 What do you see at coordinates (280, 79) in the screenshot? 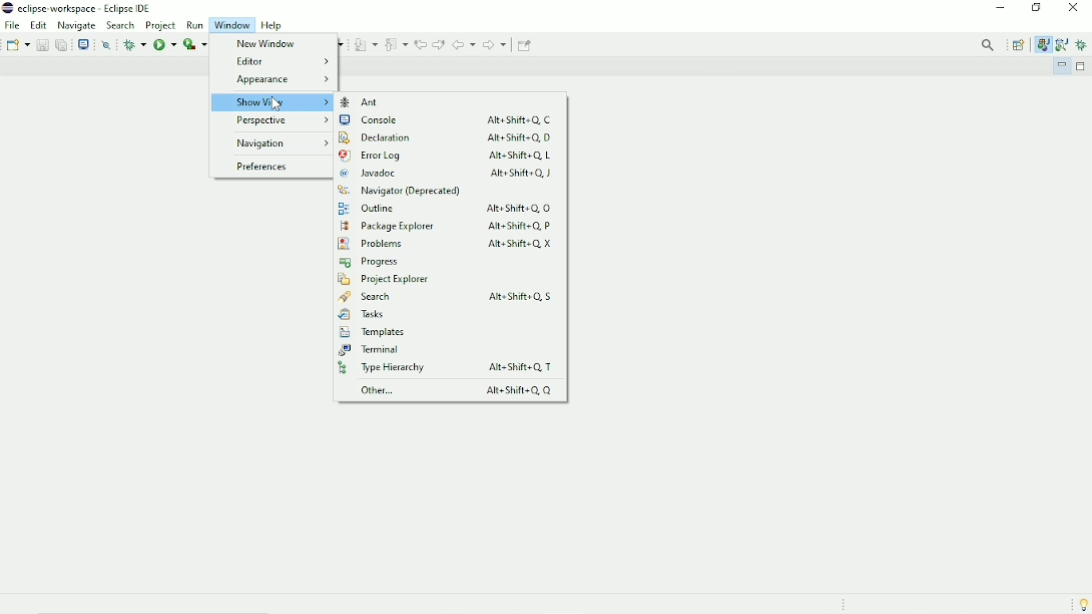
I see `Appearance` at bounding box center [280, 79].